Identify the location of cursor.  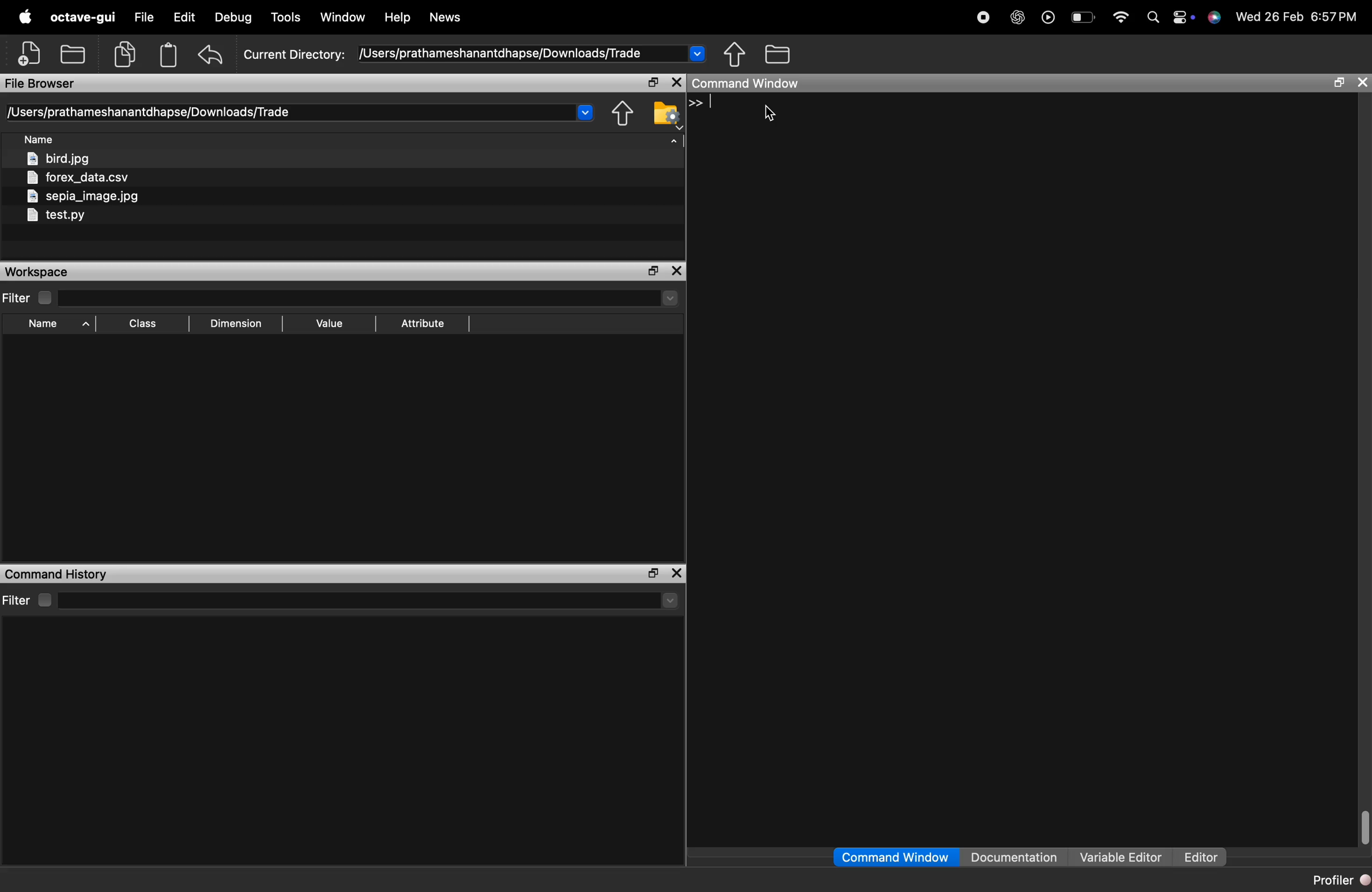
(767, 114).